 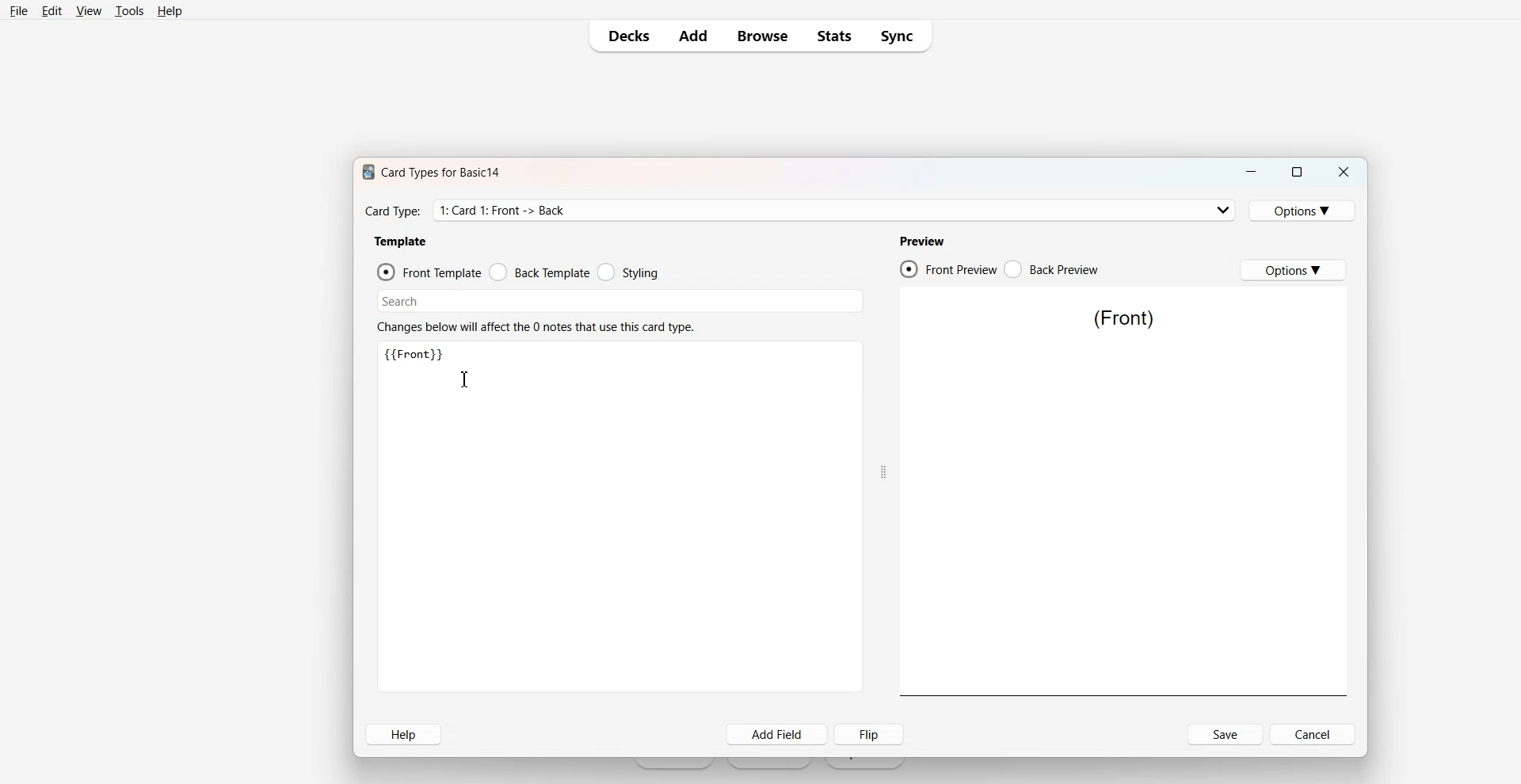 I want to click on Drag handle, so click(x=884, y=471).